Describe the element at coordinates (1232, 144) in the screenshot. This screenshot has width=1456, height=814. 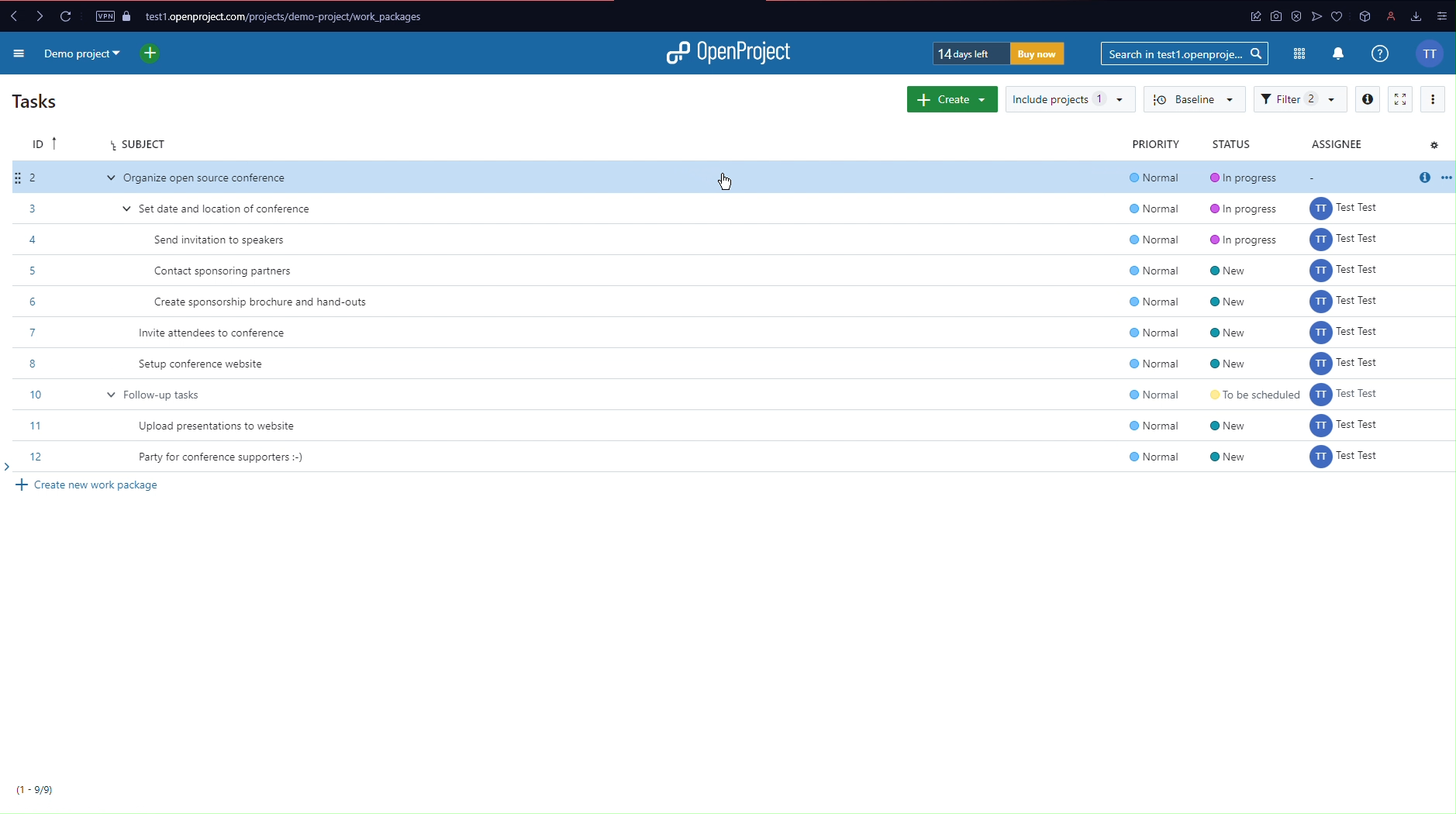
I see `Status` at that location.